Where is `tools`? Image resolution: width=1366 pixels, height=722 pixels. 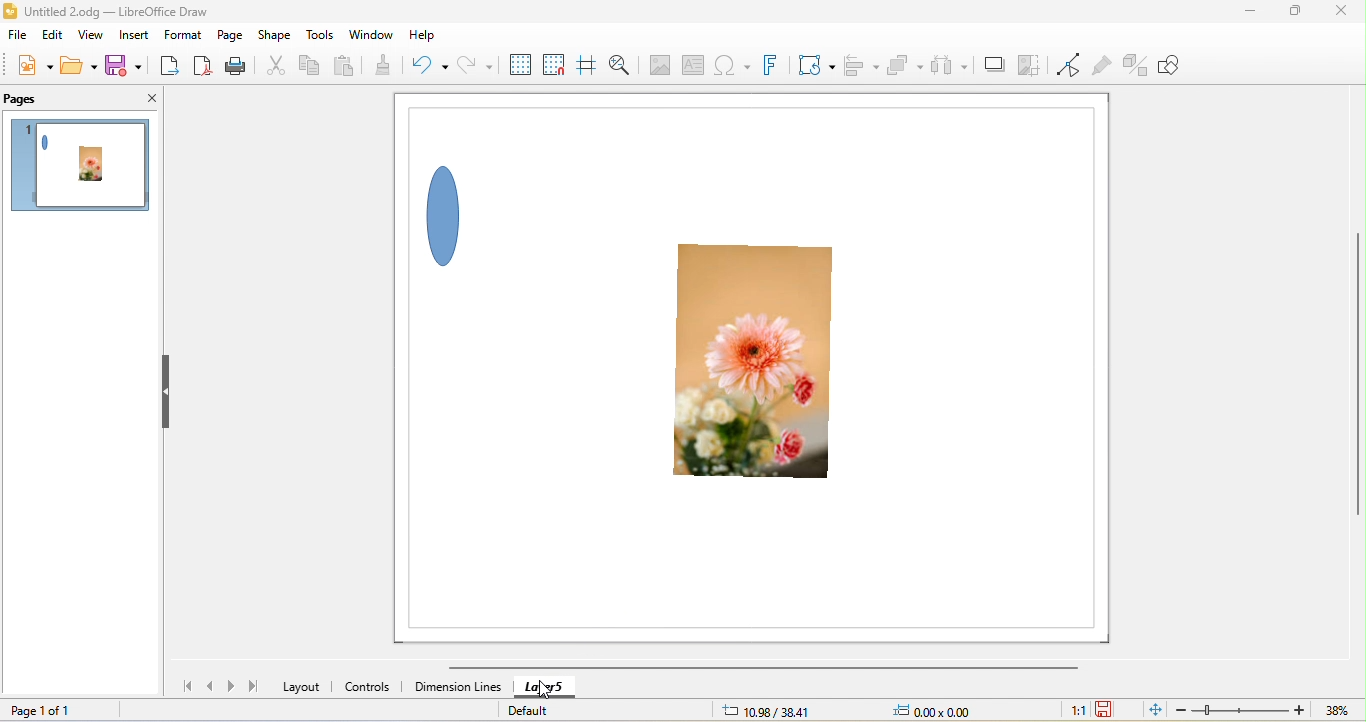 tools is located at coordinates (321, 37).